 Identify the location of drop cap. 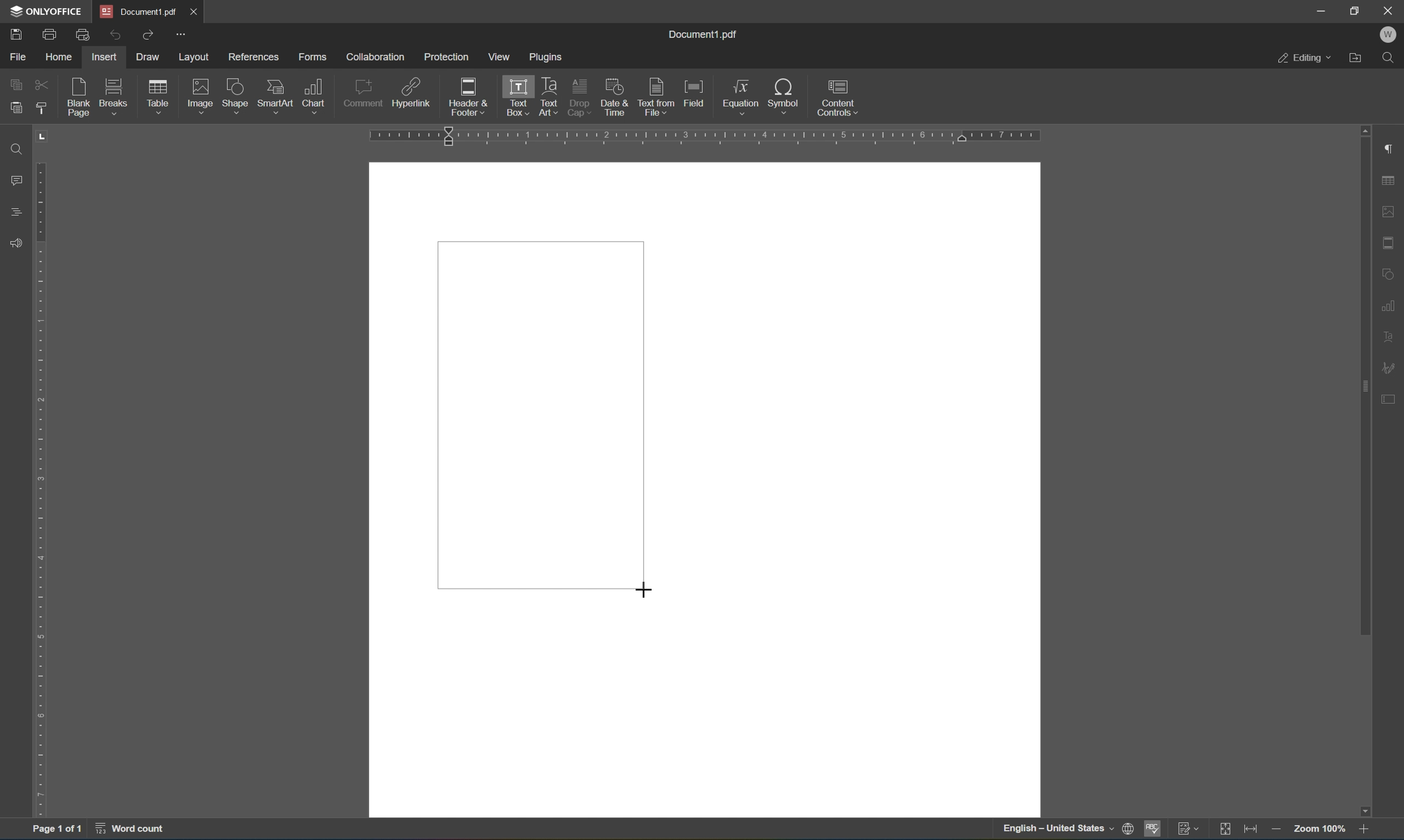
(579, 96).